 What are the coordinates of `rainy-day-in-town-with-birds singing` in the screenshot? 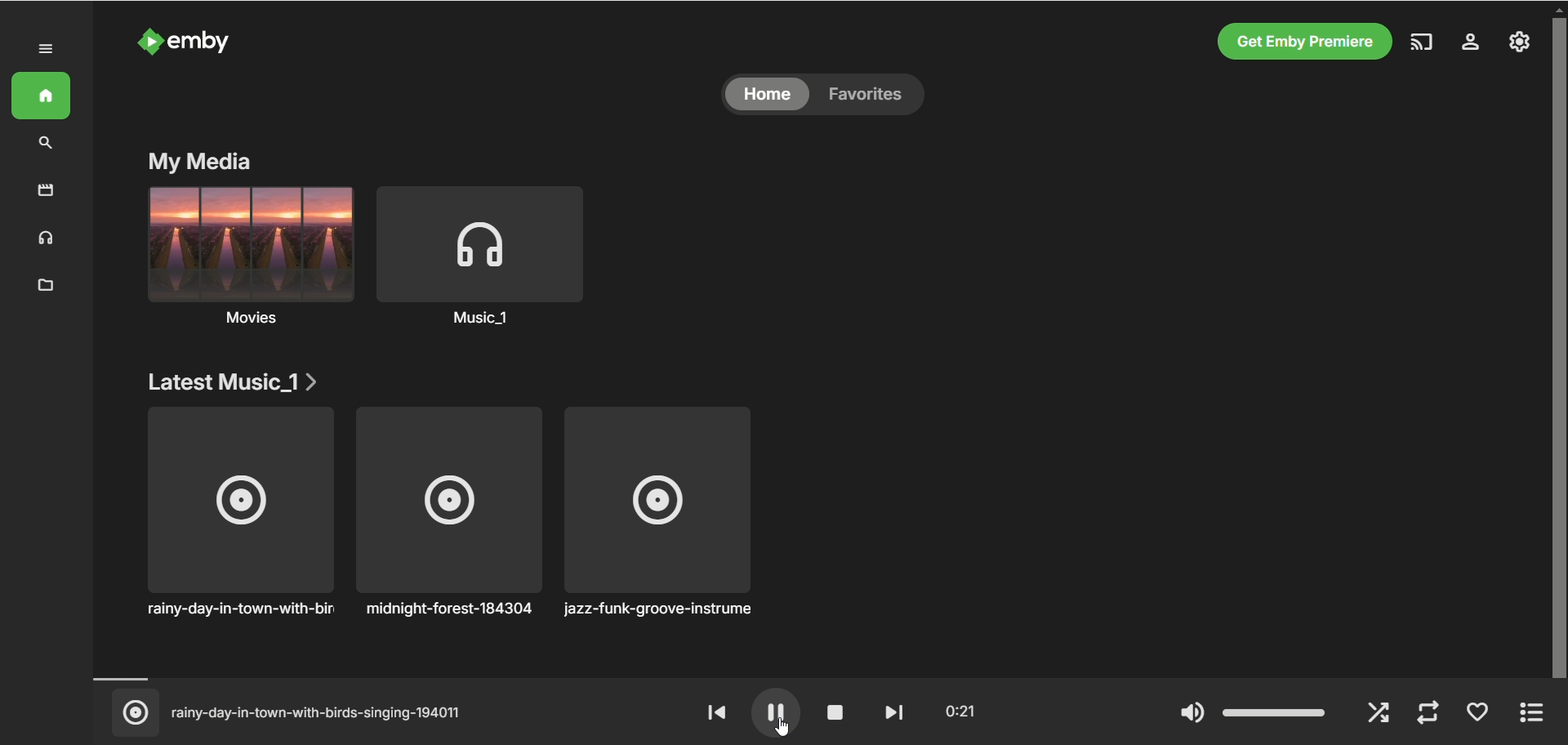 It's located at (234, 511).